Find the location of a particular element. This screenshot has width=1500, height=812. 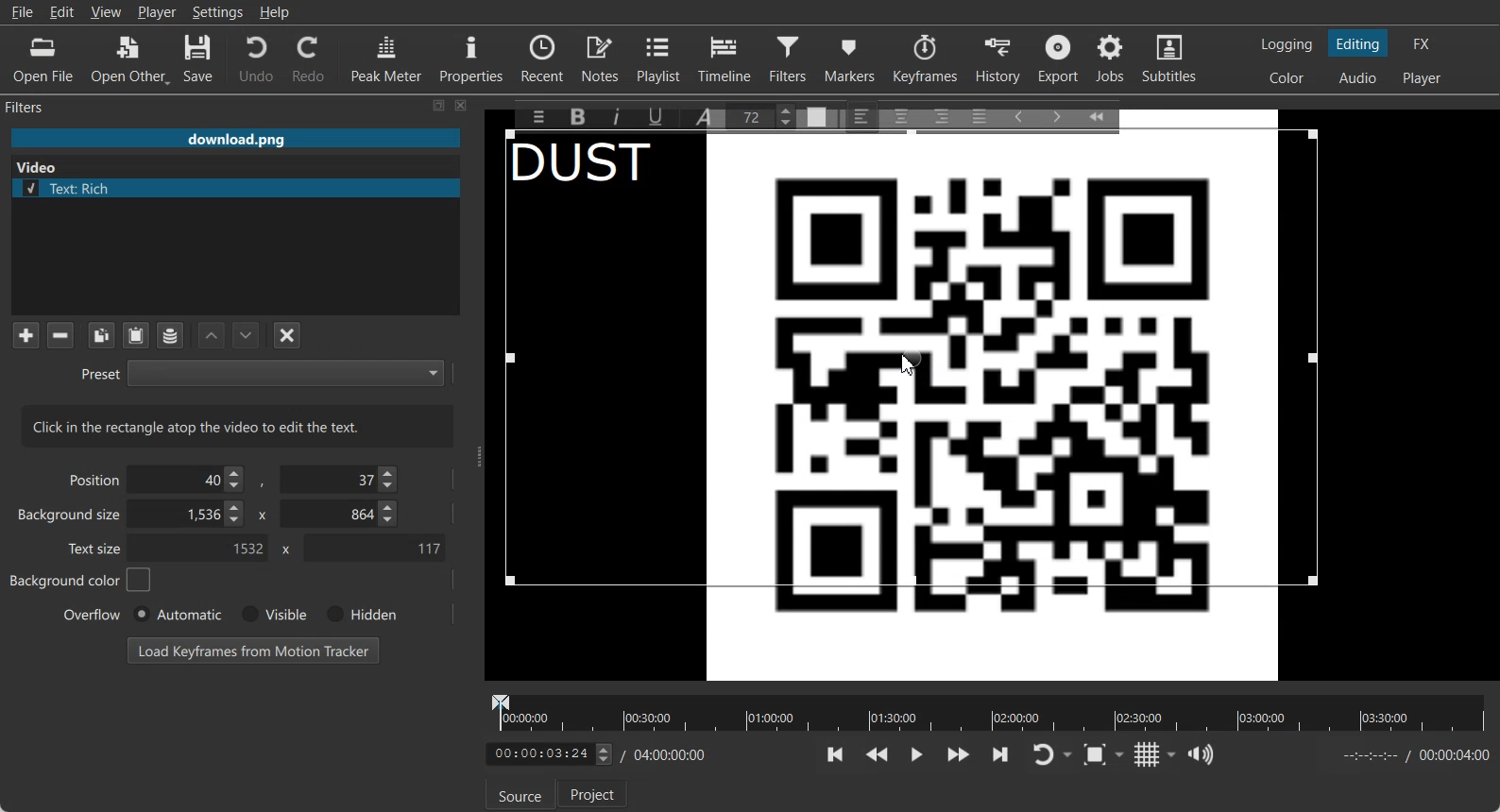

Toggle grid display on the player is located at coordinates (1148, 754).